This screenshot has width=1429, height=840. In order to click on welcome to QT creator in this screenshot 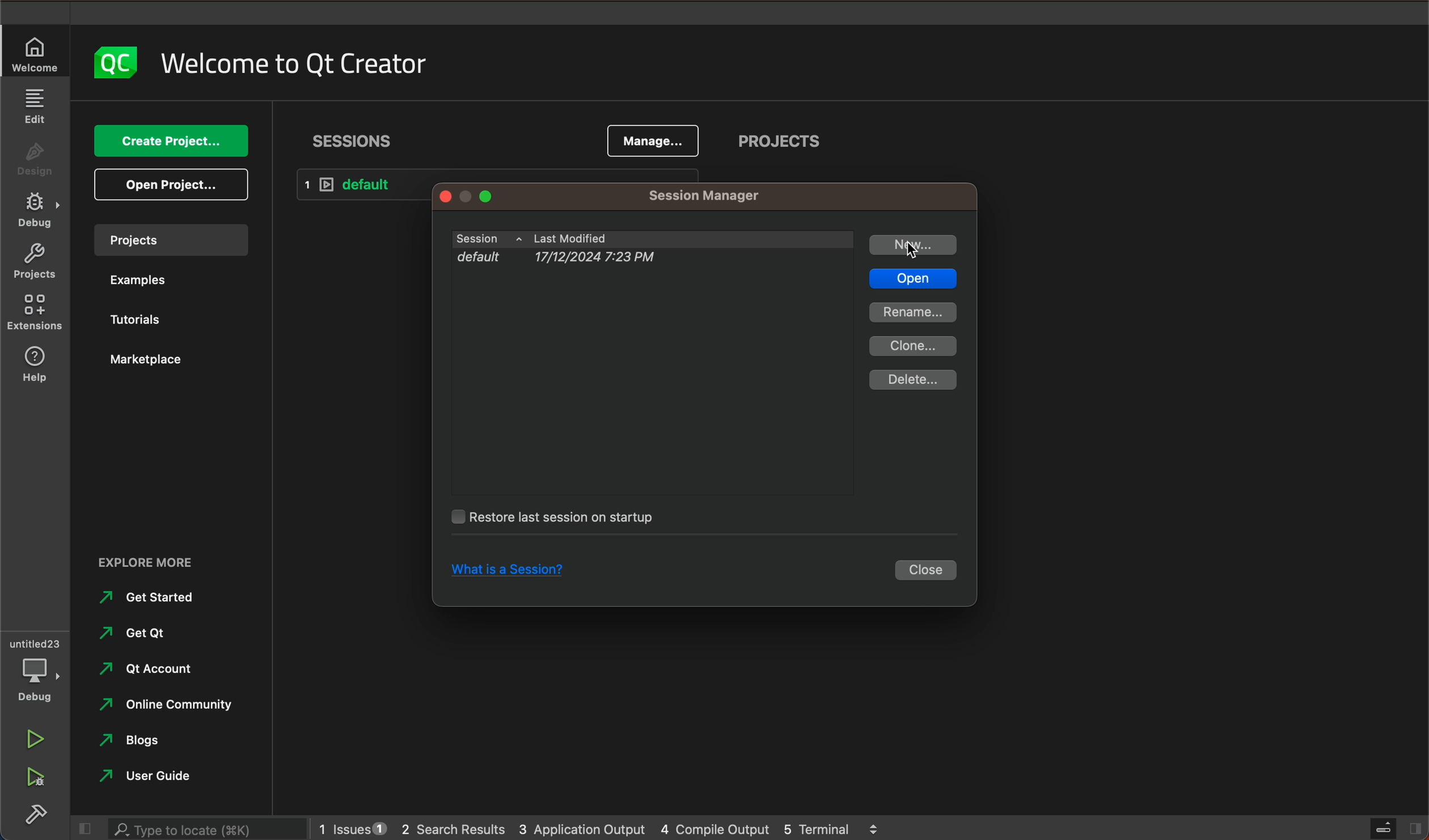, I will do `click(295, 63)`.